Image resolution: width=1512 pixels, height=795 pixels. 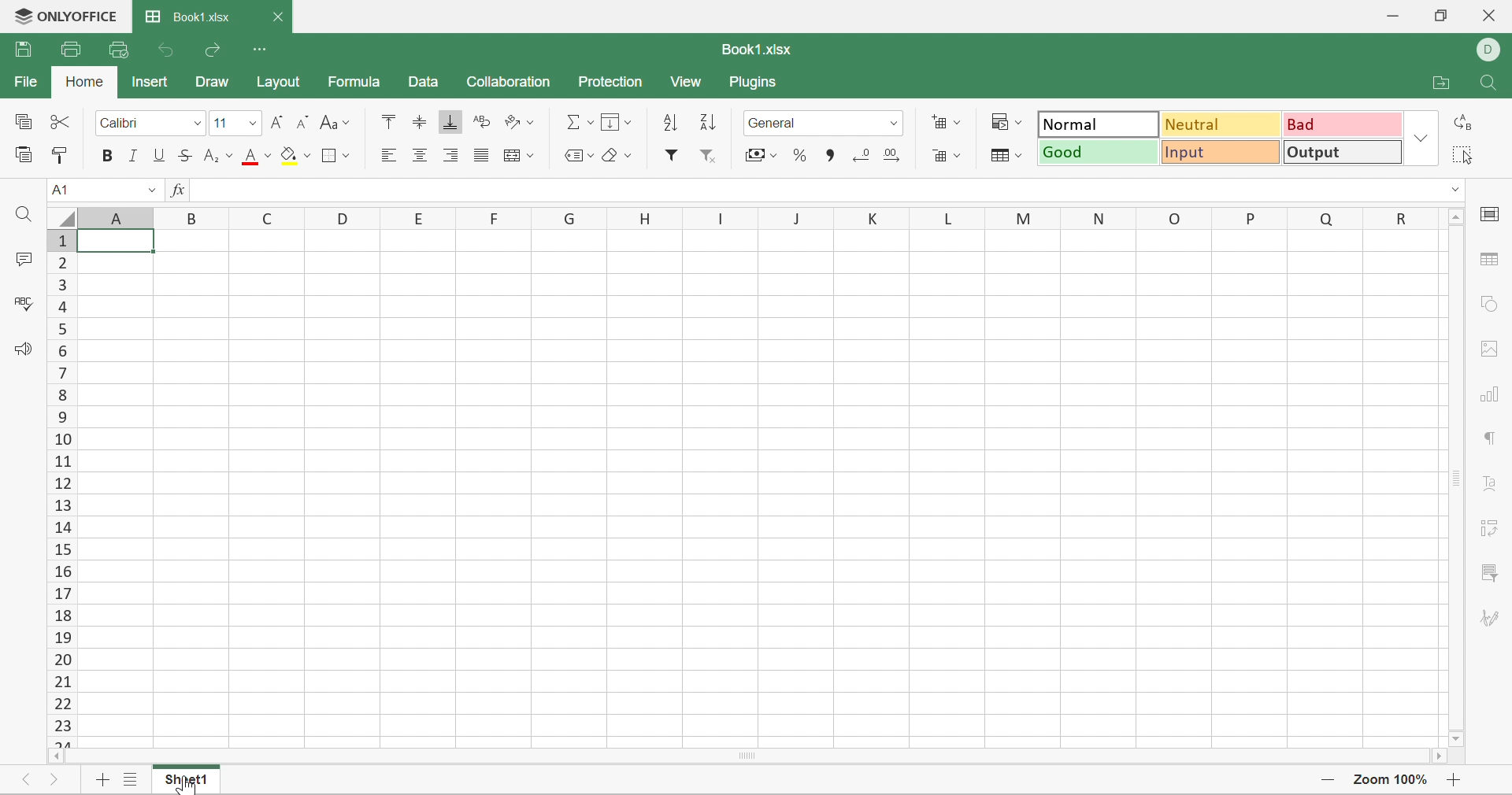 What do you see at coordinates (58, 574) in the screenshot?
I see `16` at bounding box center [58, 574].